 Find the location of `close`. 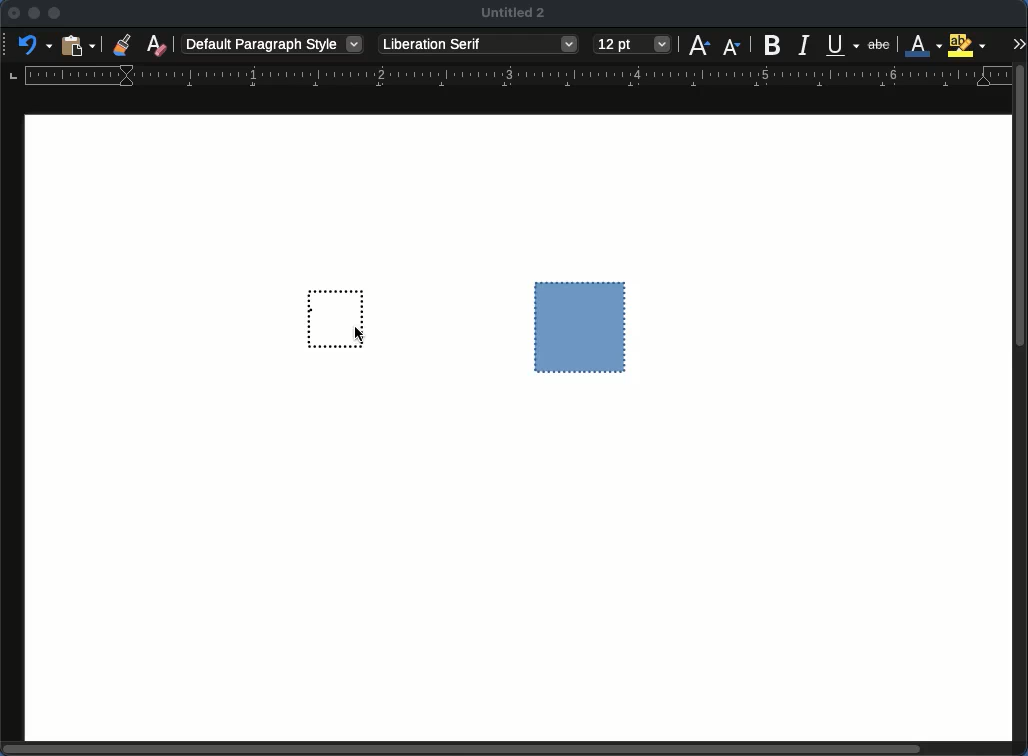

close is located at coordinates (13, 13).